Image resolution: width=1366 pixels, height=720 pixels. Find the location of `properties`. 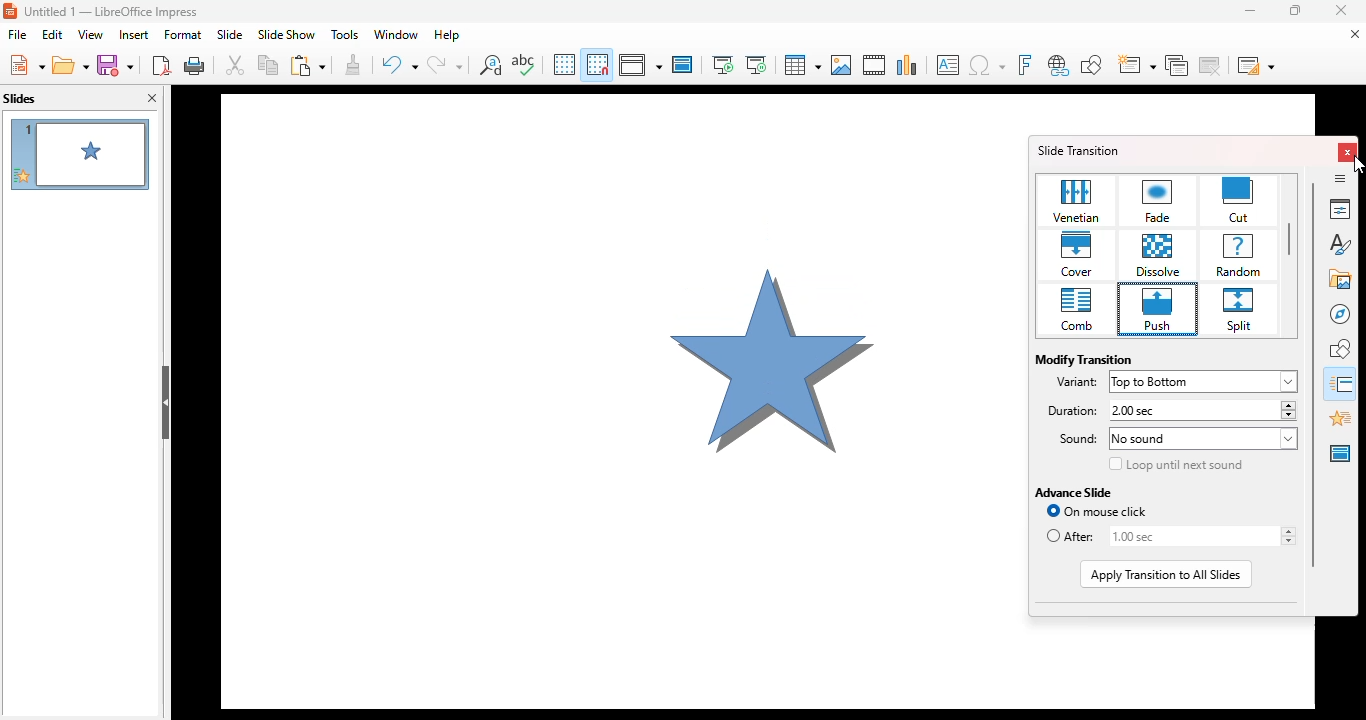

properties is located at coordinates (1339, 208).